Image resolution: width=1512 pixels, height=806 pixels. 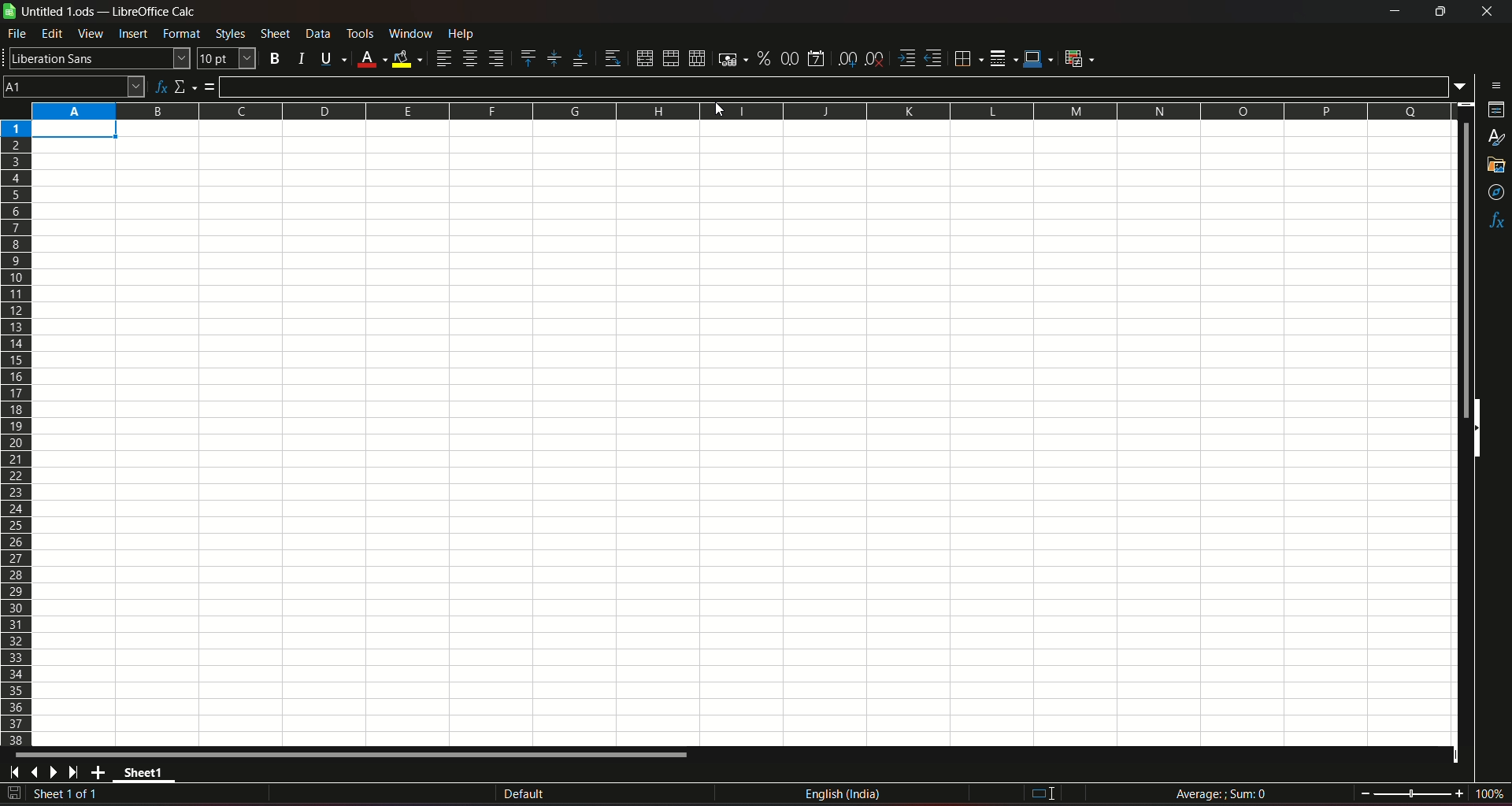 What do you see at coordinates (729, 59) in the screenshot?
I see `format as currency` at bounding box center [729, 59].